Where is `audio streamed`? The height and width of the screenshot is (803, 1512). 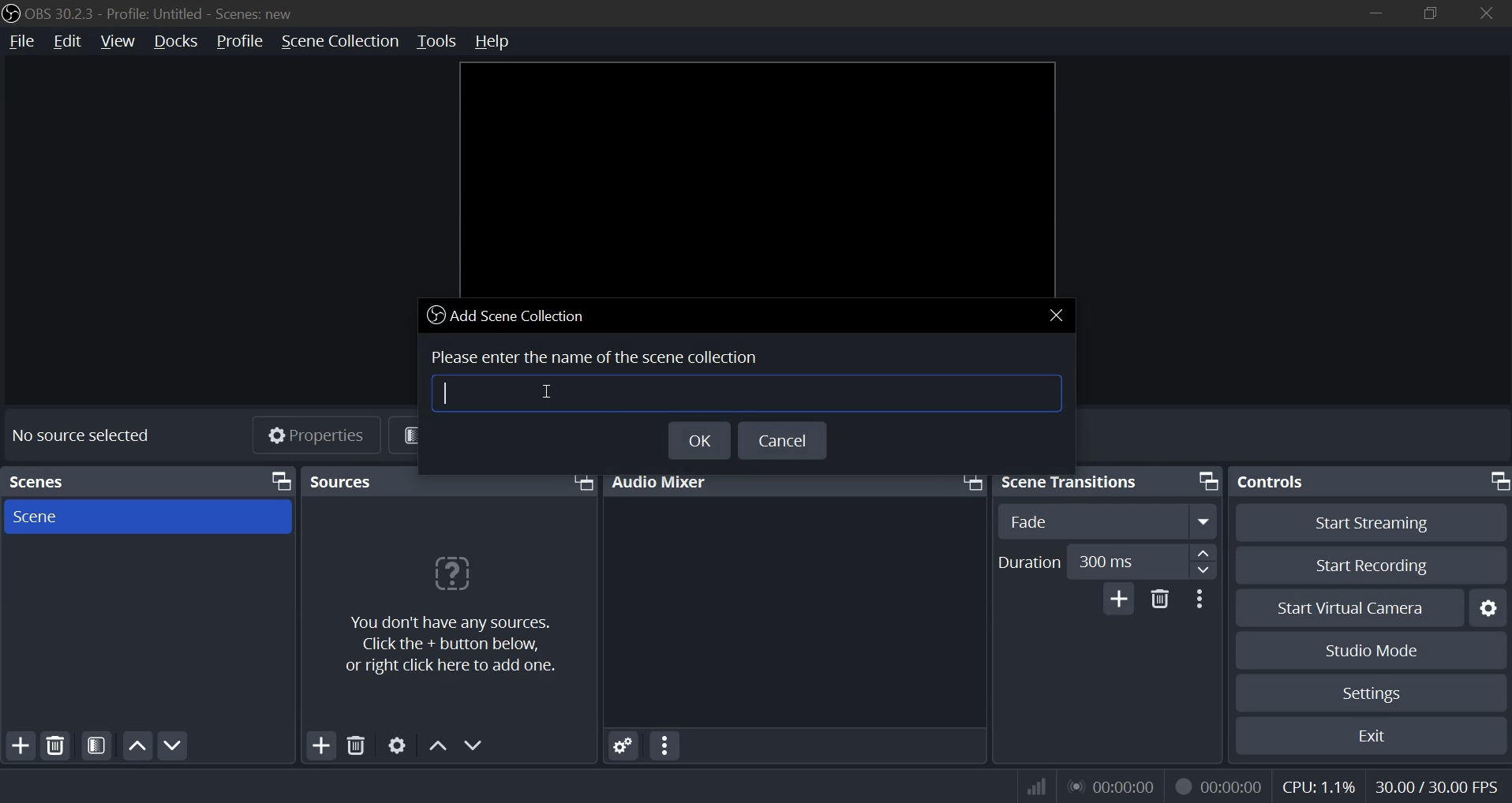 audio streamed is located at coordinates (1110, 786).